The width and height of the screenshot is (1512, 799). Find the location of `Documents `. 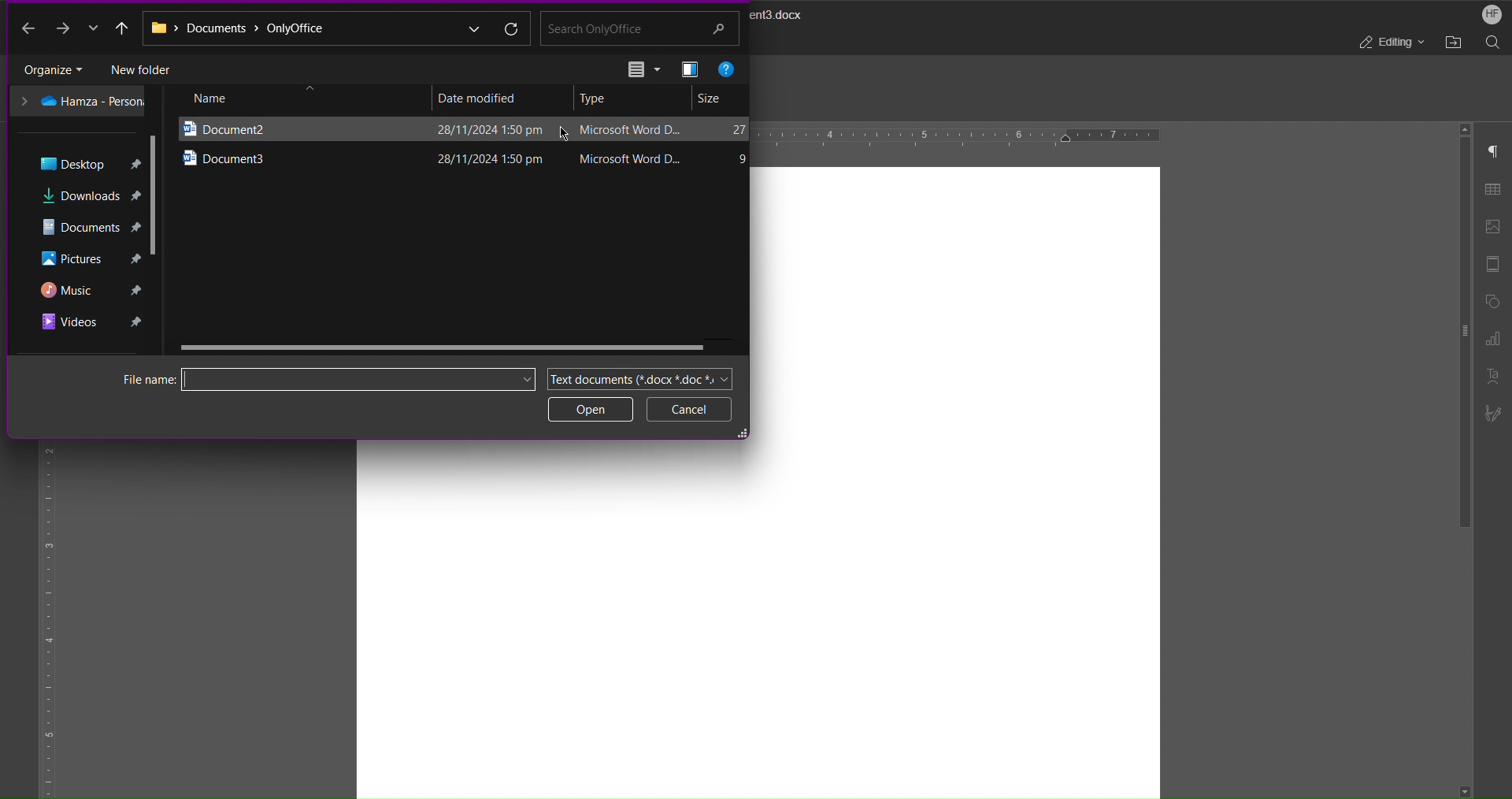

Documents  is located at coordinates (221, 31).